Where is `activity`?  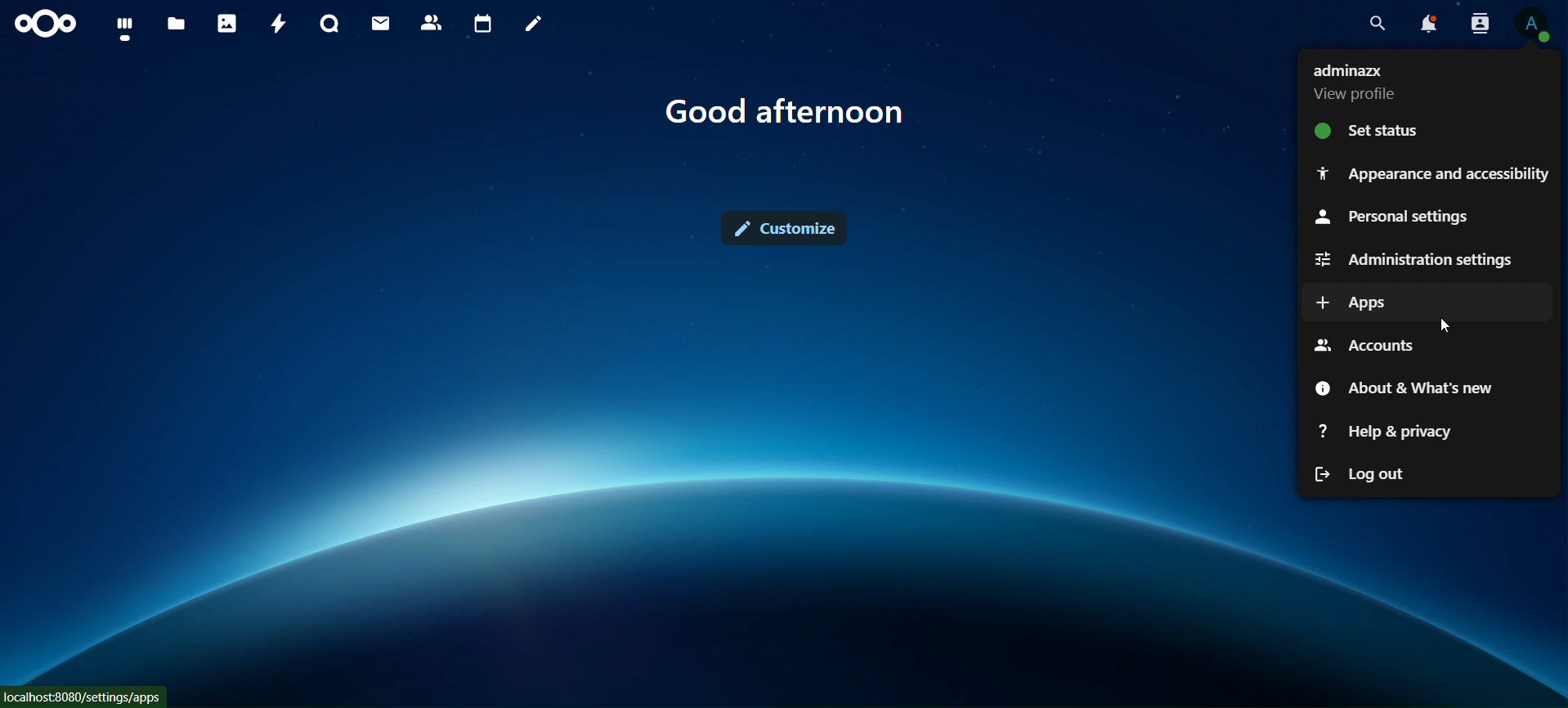
activity is located at coordinates (276, 24).